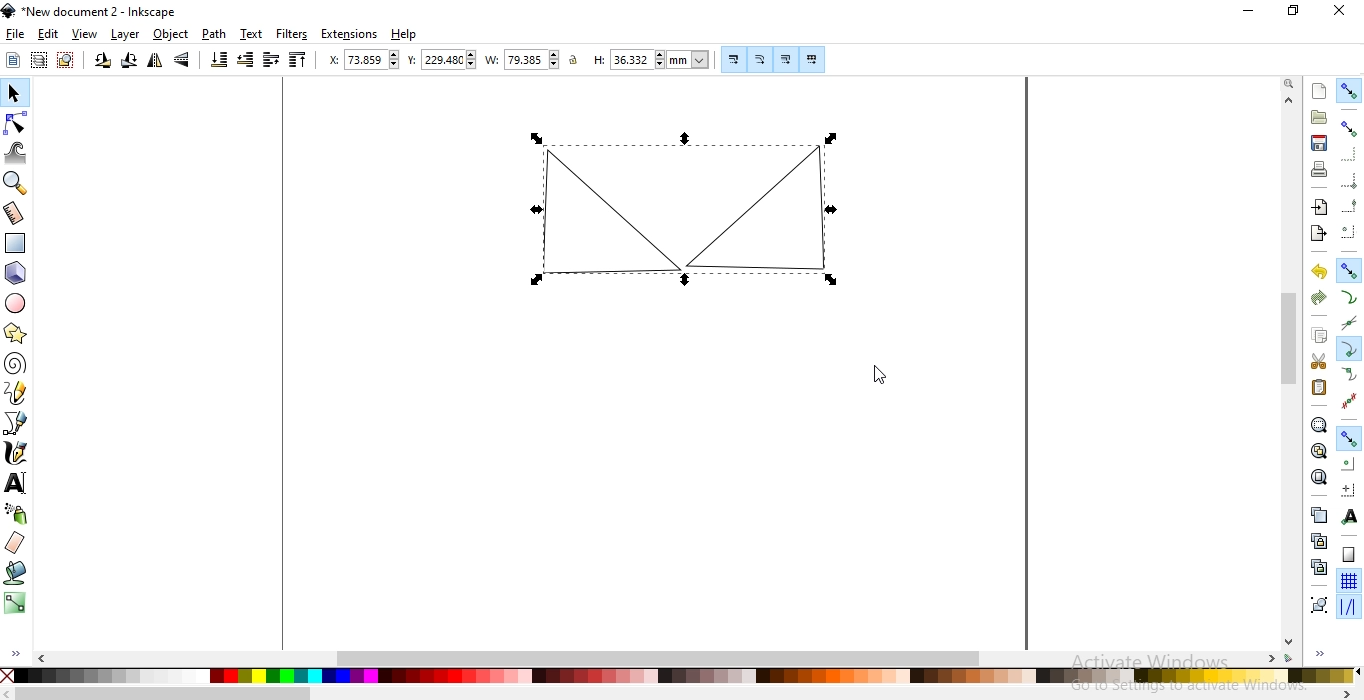  I want to click on close, so click(1337, 8).